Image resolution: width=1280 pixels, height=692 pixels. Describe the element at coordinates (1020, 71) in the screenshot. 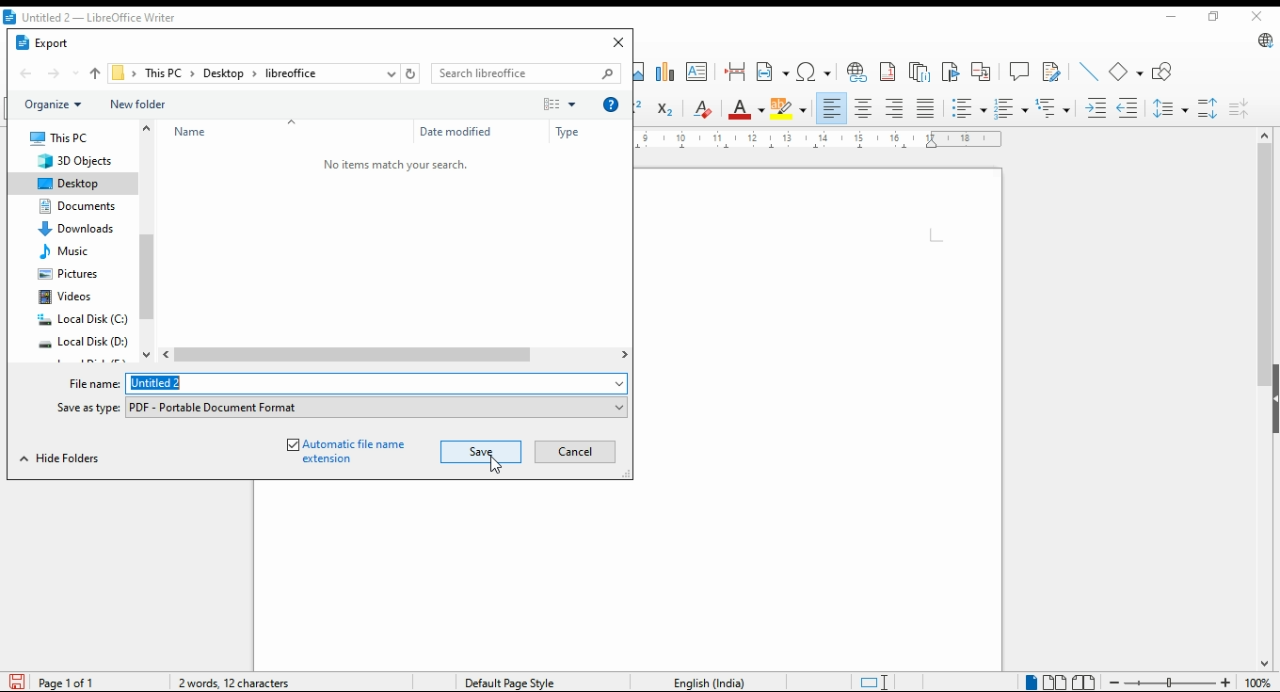

I see `insert comment` at that location.